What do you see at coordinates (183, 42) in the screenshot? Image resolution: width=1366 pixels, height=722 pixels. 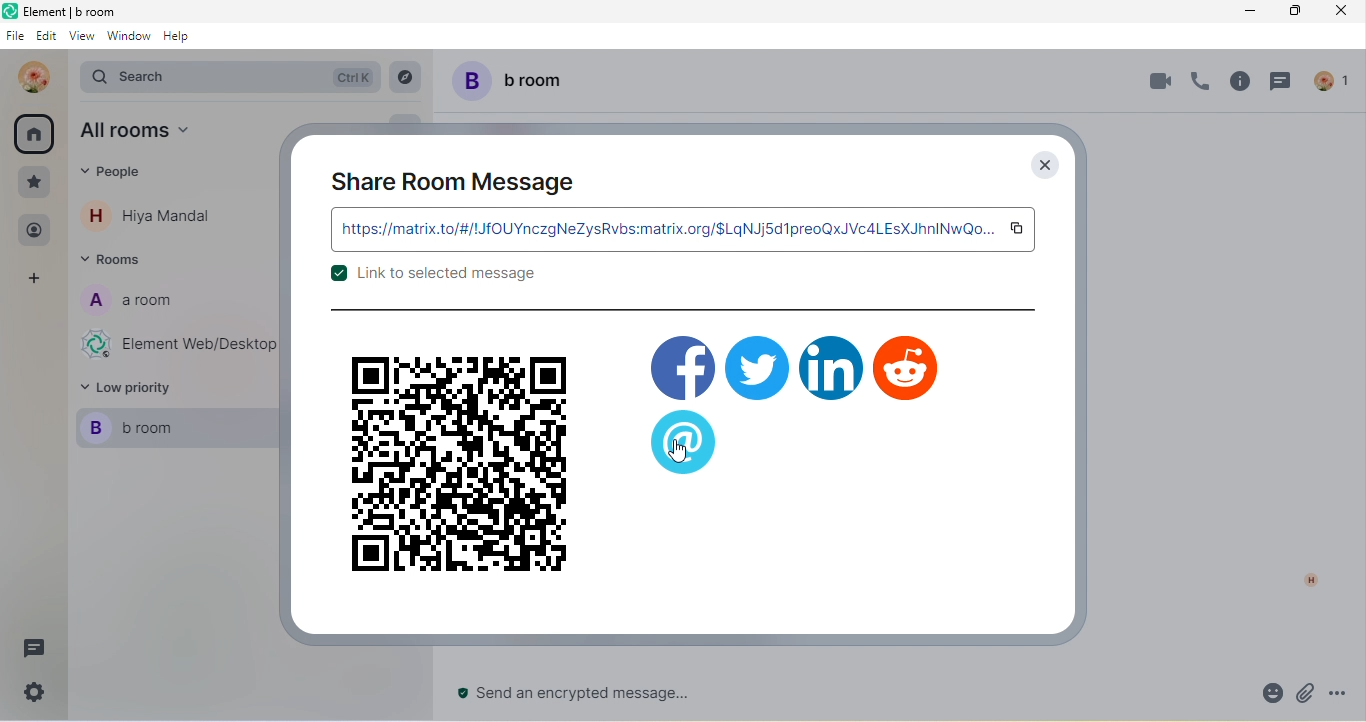 I see `help` at bounding box center [183, 42].